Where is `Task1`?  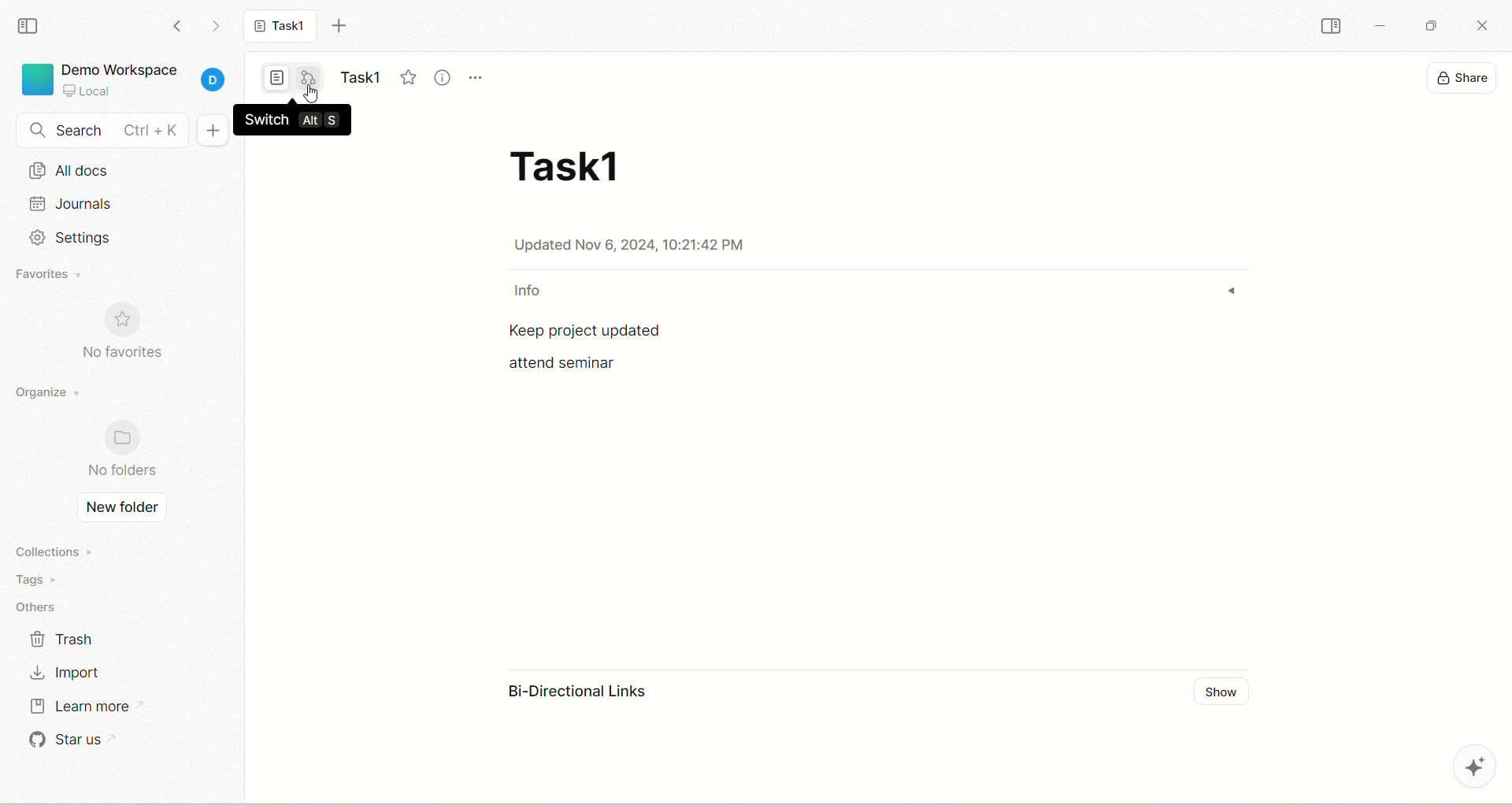 Task1 is located at coordinates (285, 28).